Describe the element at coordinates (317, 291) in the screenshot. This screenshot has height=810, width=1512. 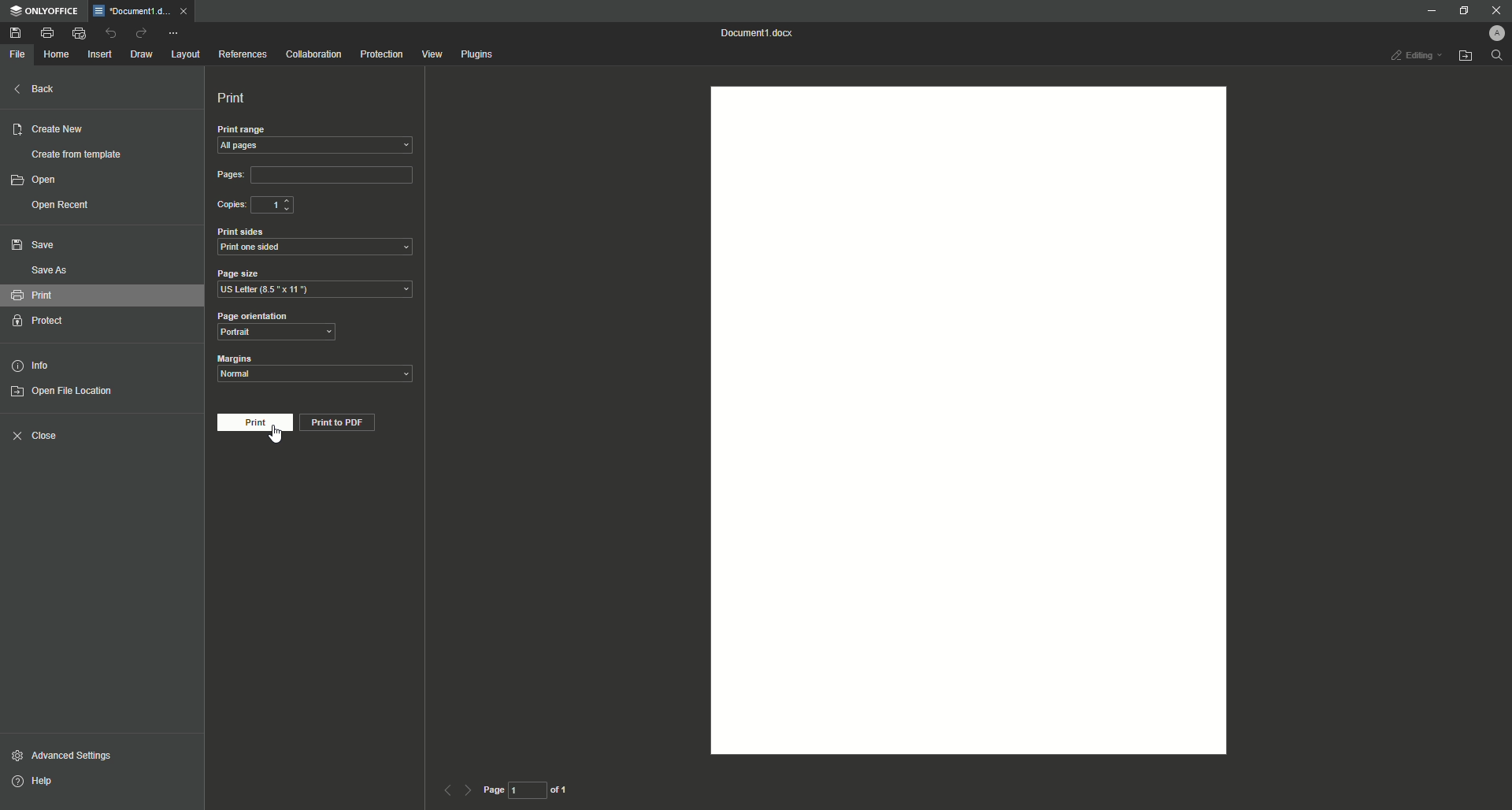
I see `US Letter` at that location.